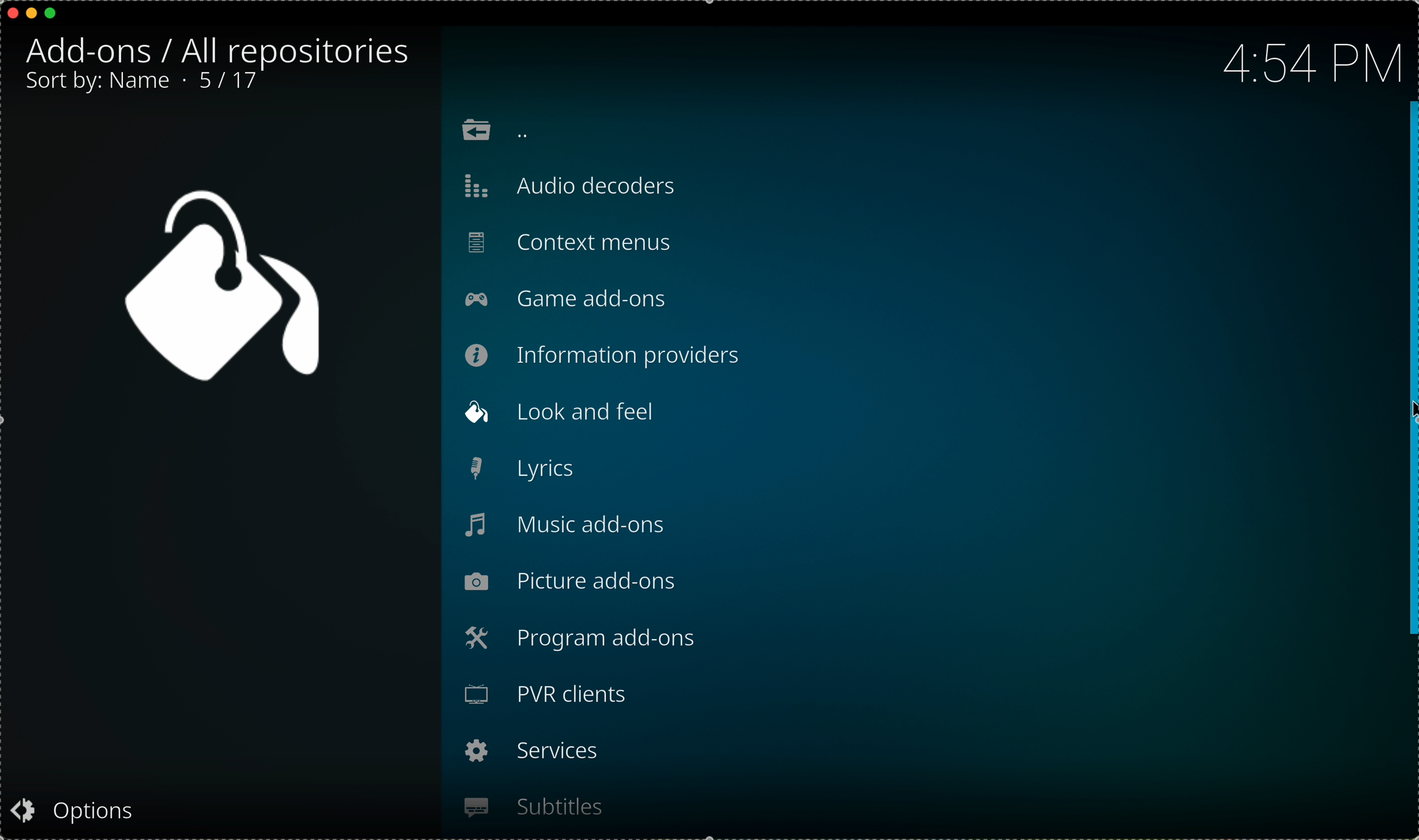 The height and width of the screenshot is (840, 1419). Describe the element at coordinates (33, 13) in the screenshot. I see `minimize` at that location.